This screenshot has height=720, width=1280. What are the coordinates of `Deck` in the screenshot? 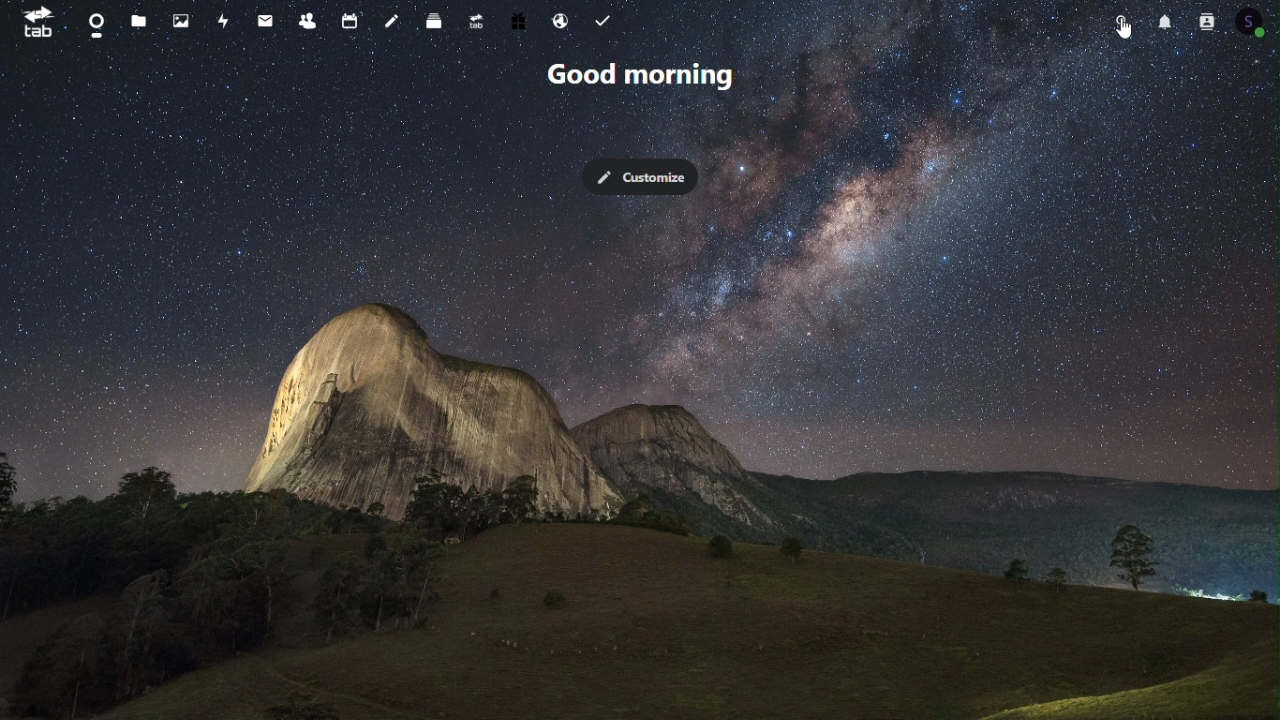 It's located at (432, 16).